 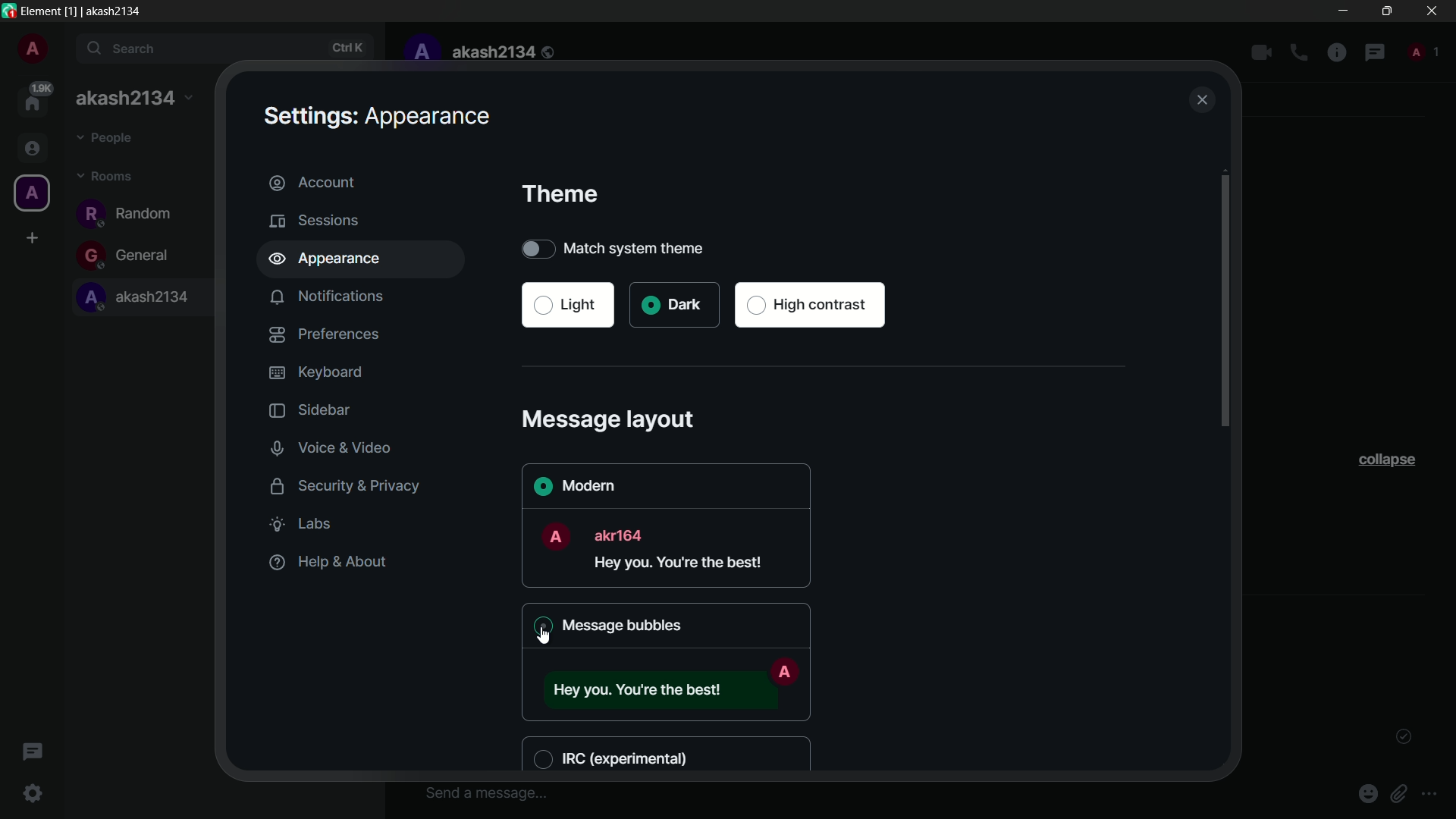 What do you see at coordinates (325, 334) in the screenshot?
I see `preferences` at bounding box center [325, 334].